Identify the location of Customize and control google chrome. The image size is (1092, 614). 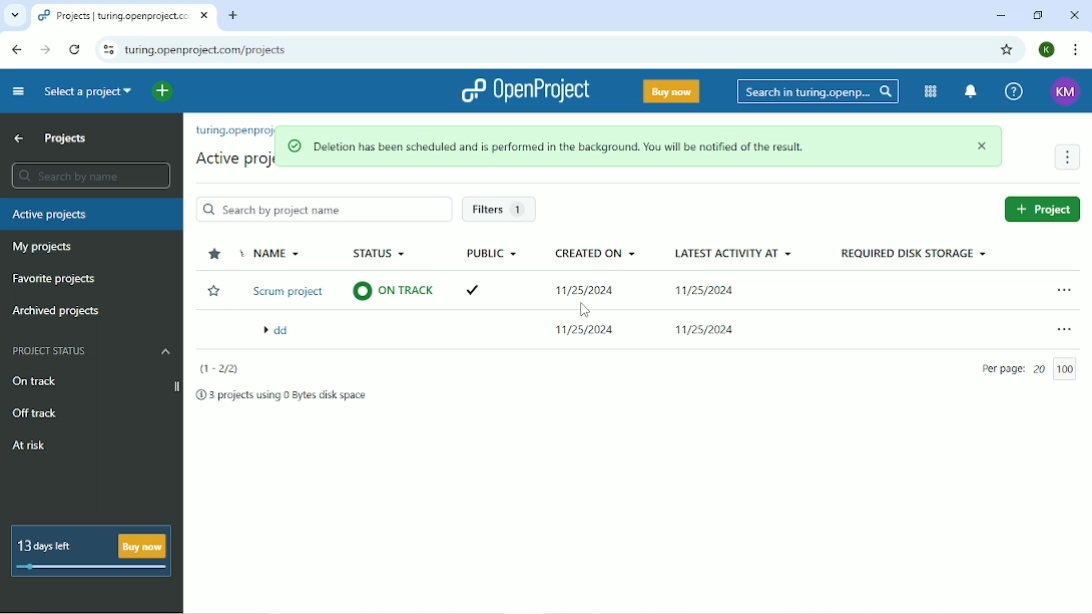
(1077, 50).